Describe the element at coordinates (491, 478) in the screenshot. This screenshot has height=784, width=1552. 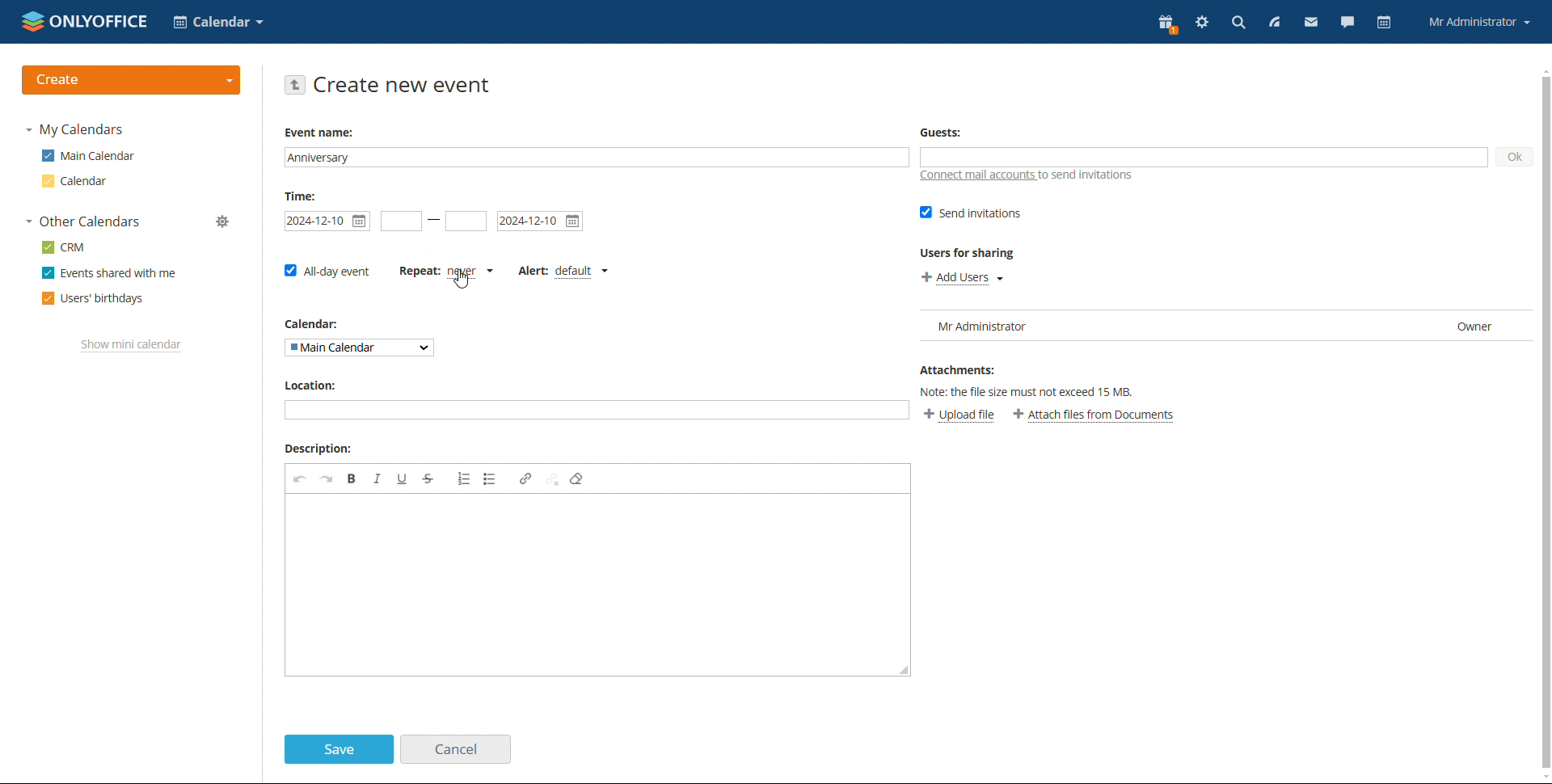
I see `insert/remove bulleted list` at that location.